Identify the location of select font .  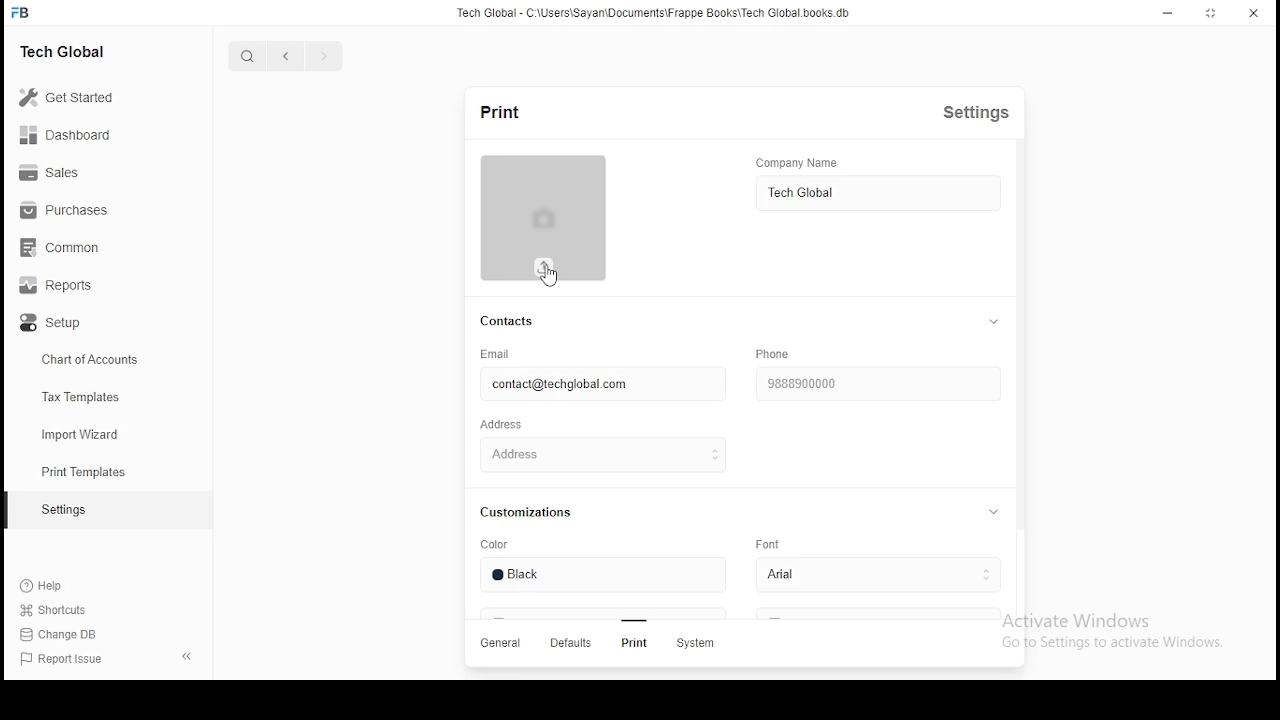
(872, 576).